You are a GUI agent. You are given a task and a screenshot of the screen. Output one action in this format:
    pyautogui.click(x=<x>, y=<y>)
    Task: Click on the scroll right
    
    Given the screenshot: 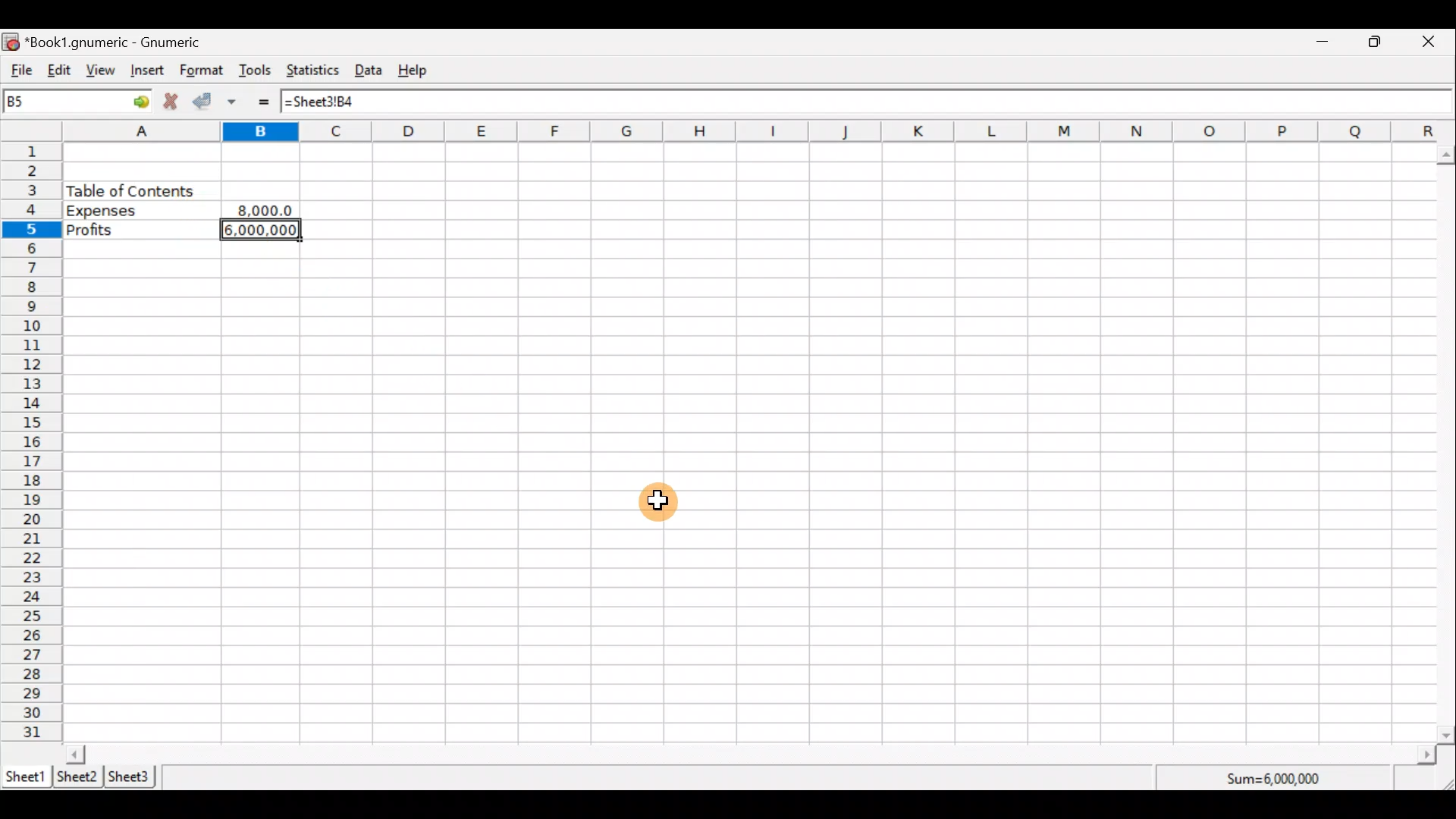 What is the action you would take?
    pyautogui.click(x=1426, y=755)
    